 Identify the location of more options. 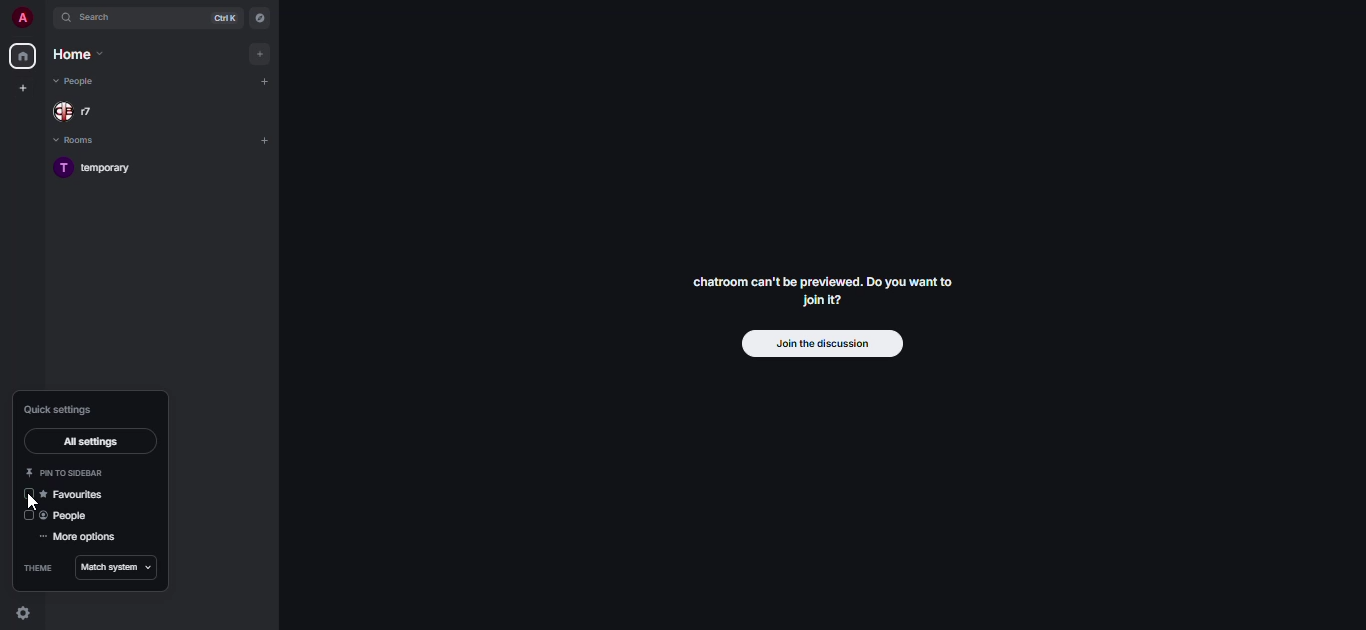
(76, 539).